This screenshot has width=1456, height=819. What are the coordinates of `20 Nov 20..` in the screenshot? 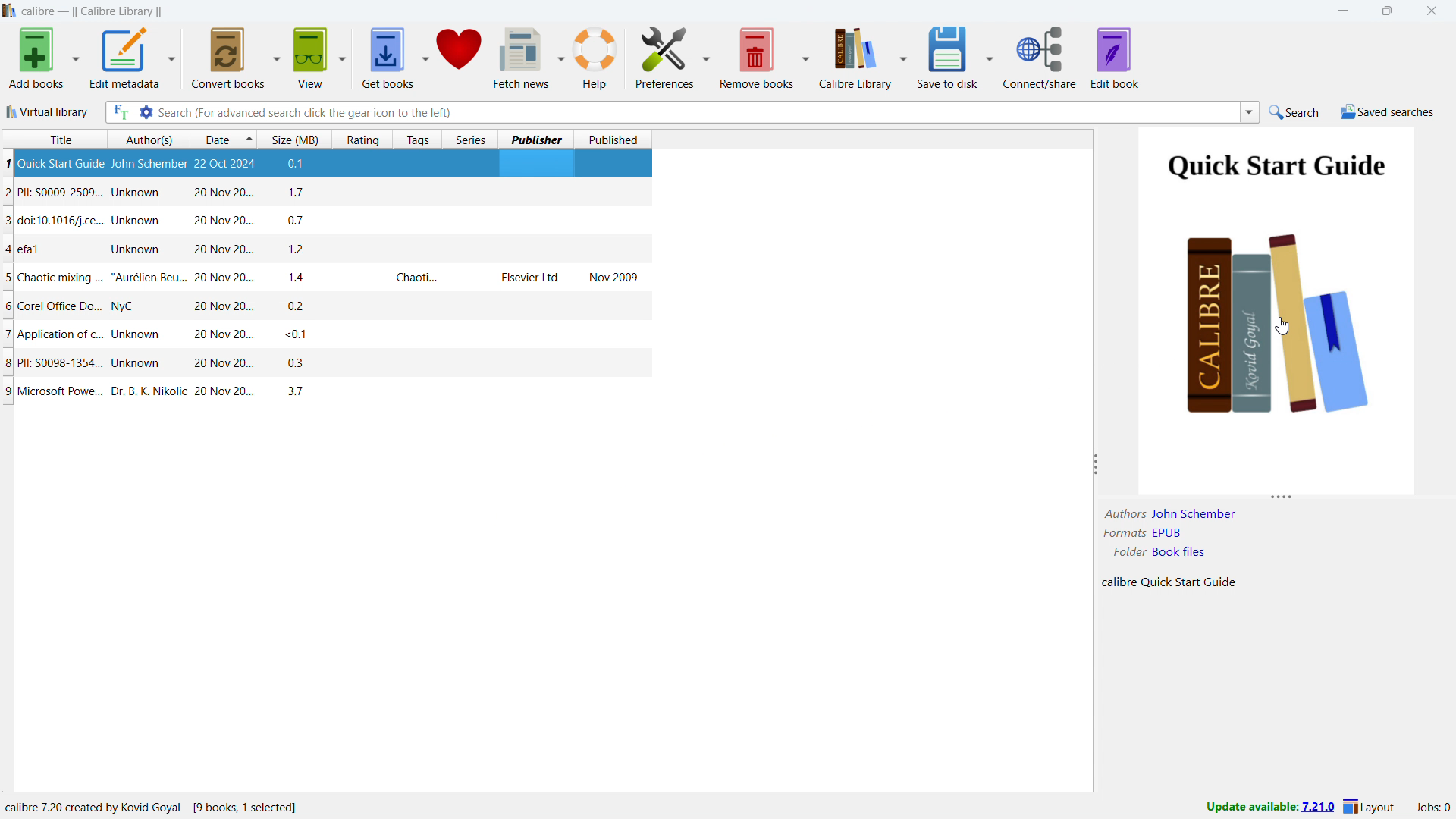 It's located at (221, 307).